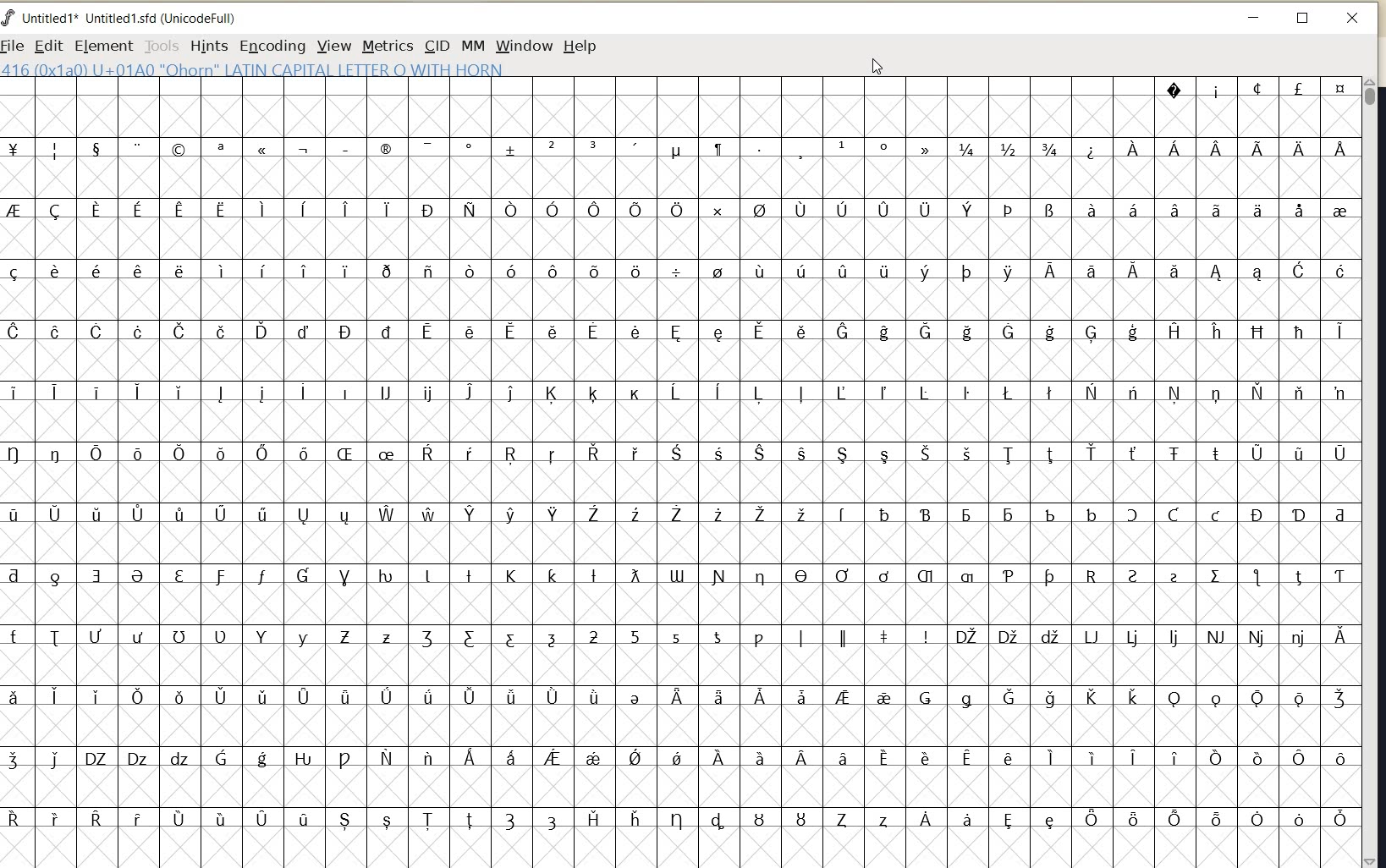  Describe the element at coordinates (128, 18) in the screenshot. I see `FONT NAME` at that location.